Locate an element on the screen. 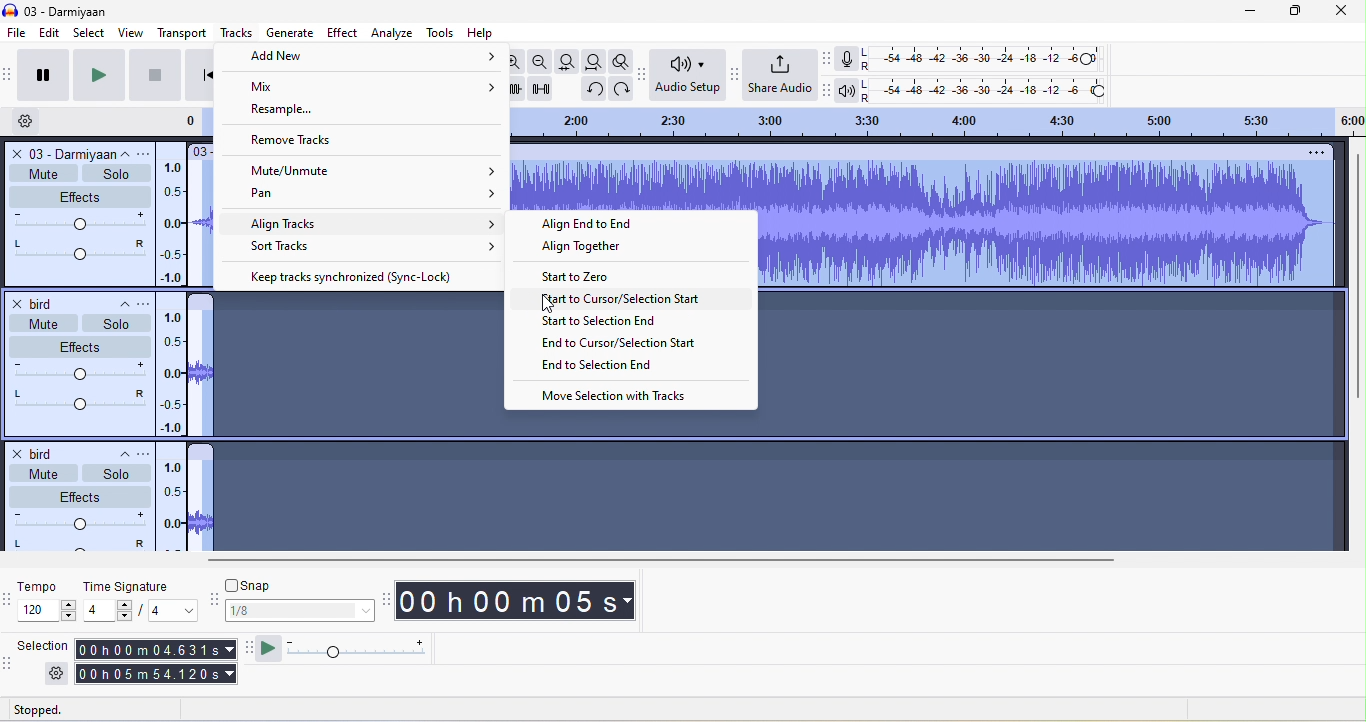 The height and width of the screenshot is (722, 1366). 1/8 is located at coordinates (297, 611).